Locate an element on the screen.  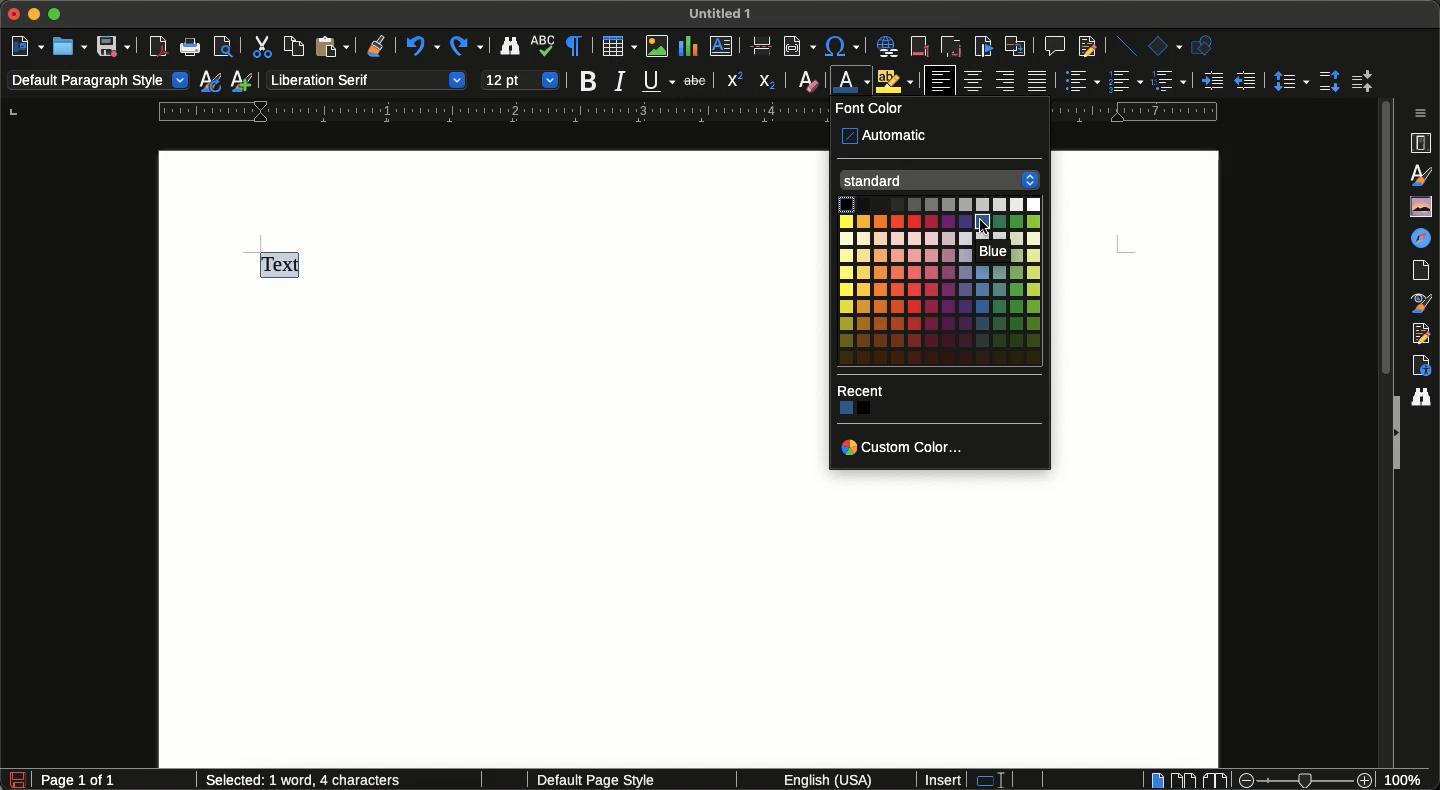
Zoom in is located at coordinates (1367, 781).